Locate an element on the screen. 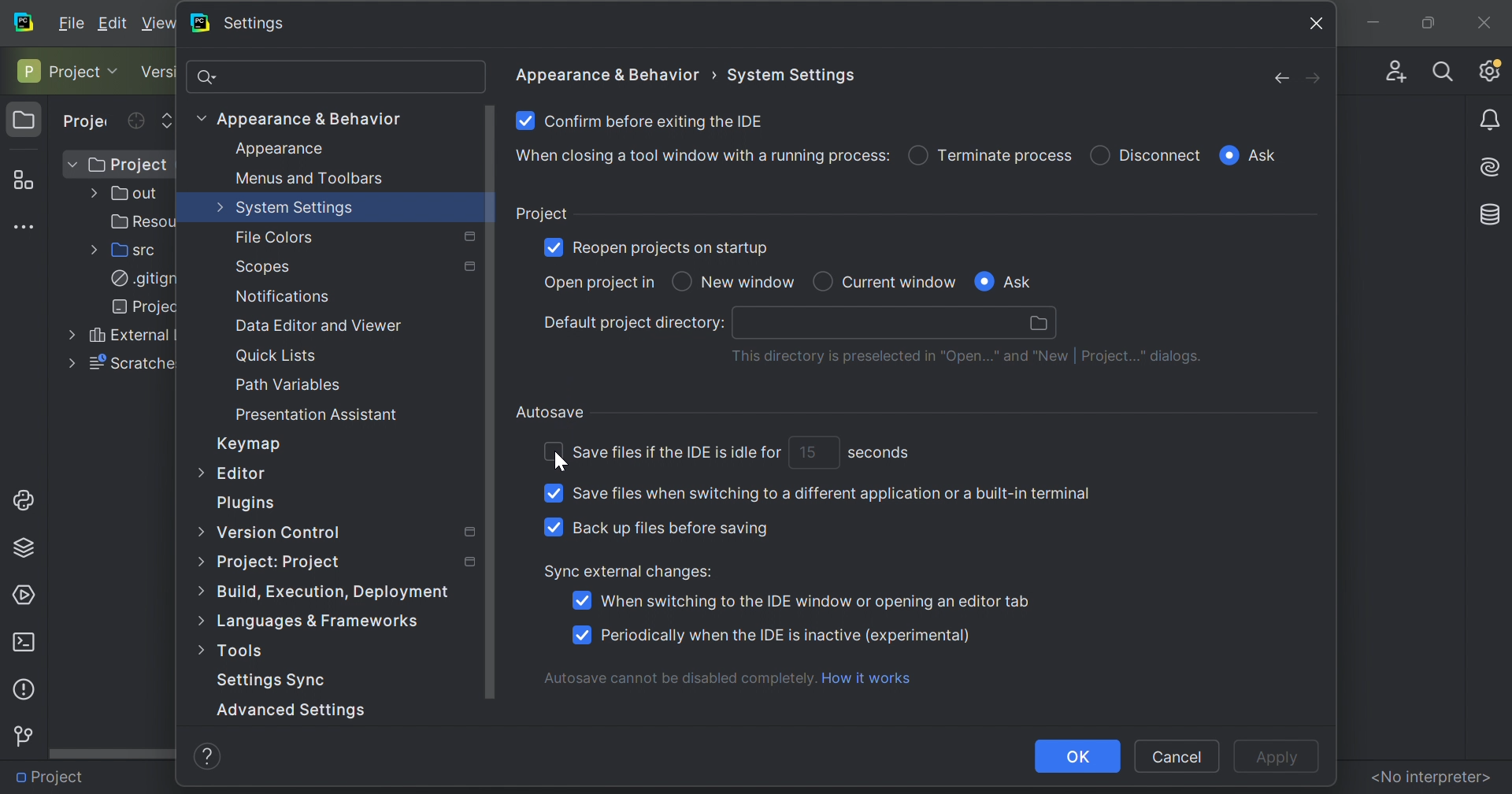 The image size is (1512, 794). Build, execution, deployment is located at coordinates (343, 591).